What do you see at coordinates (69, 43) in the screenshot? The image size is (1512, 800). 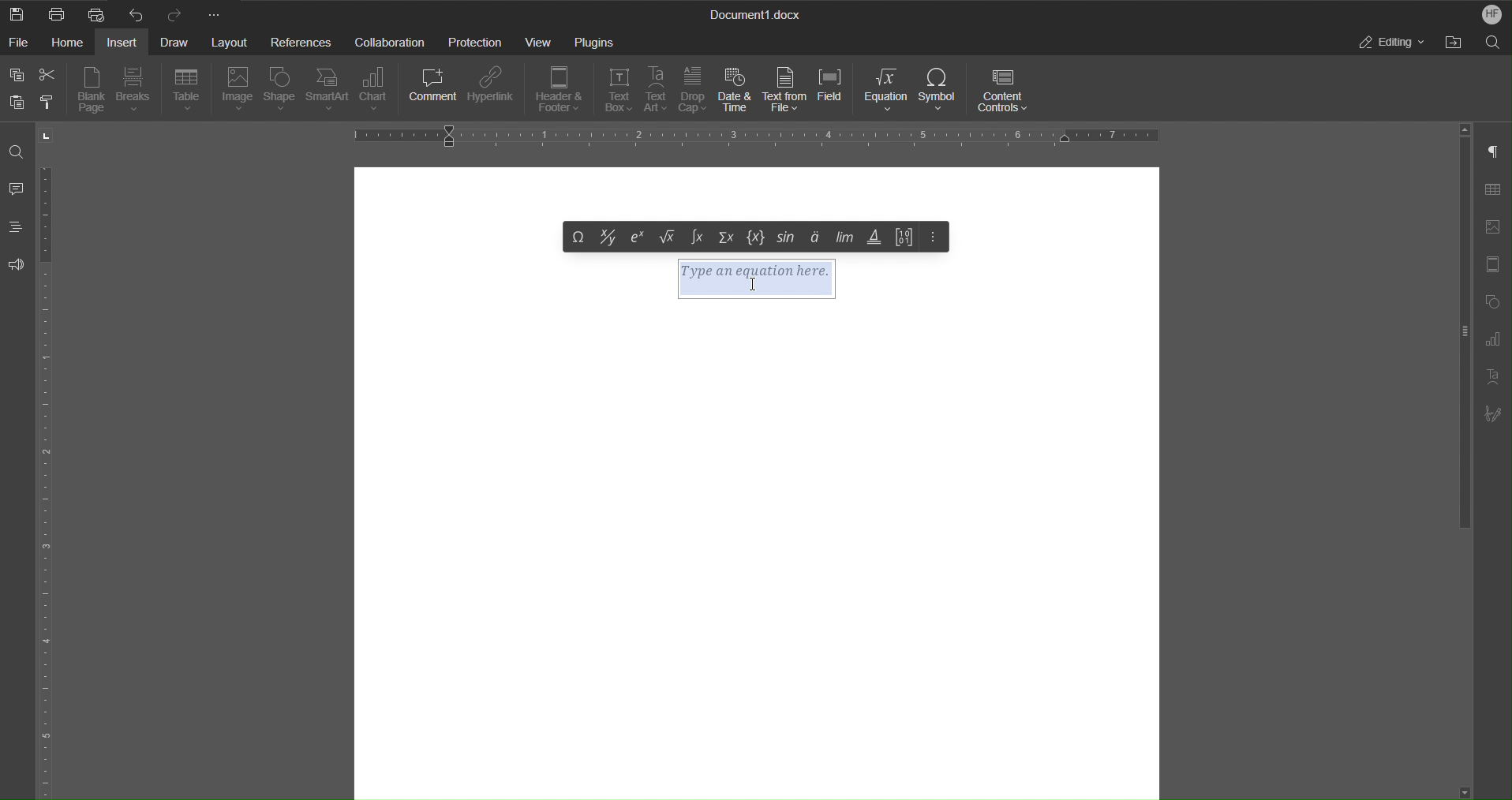 I see `Home` at bounding box center [69, 43].